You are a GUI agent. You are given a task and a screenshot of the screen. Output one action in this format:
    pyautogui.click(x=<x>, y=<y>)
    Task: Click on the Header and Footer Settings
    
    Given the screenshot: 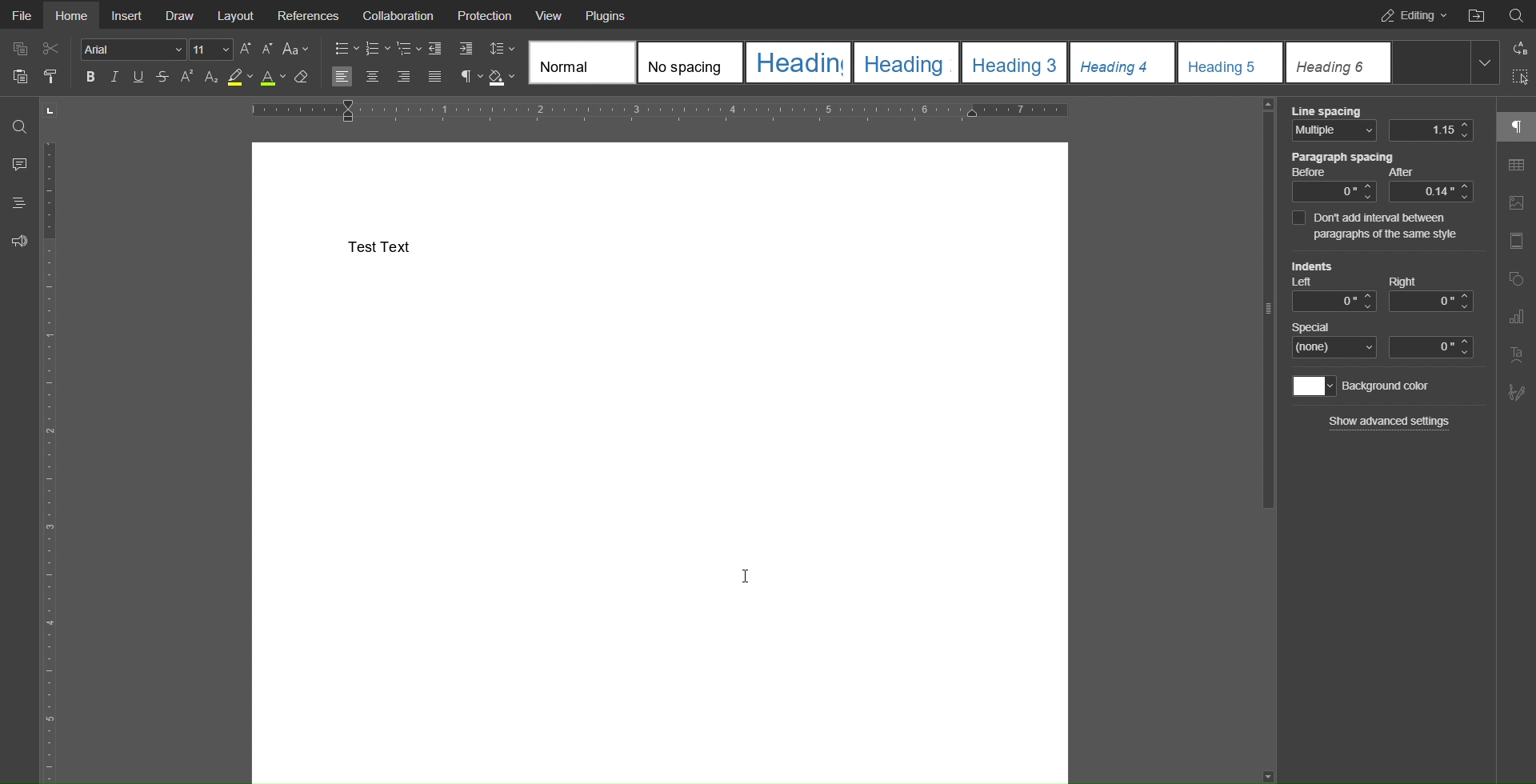 What is the action you would take?
    pyautogui.click(x=1514, y=243)
    